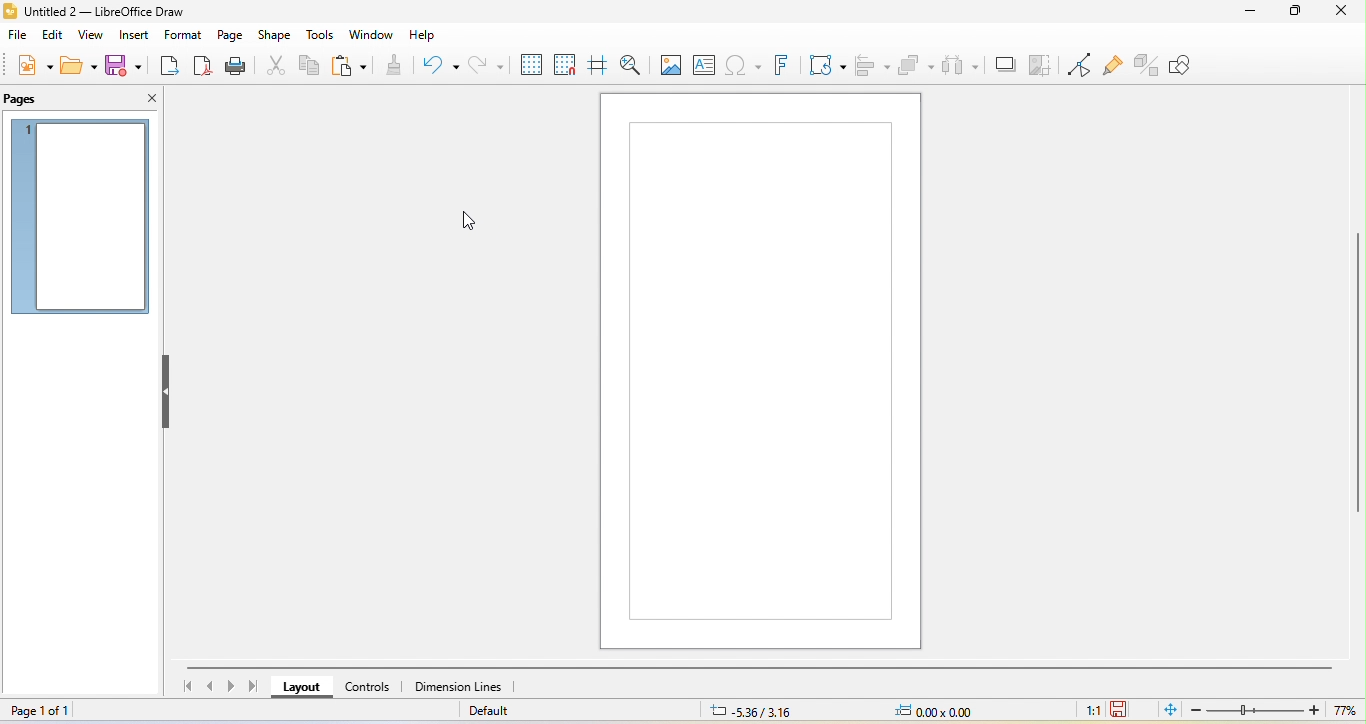 The width and height of the screenshot is (1366, 724). Describe the element at coordinates (321, 36) in the screenshot. I see `tools` at that location.